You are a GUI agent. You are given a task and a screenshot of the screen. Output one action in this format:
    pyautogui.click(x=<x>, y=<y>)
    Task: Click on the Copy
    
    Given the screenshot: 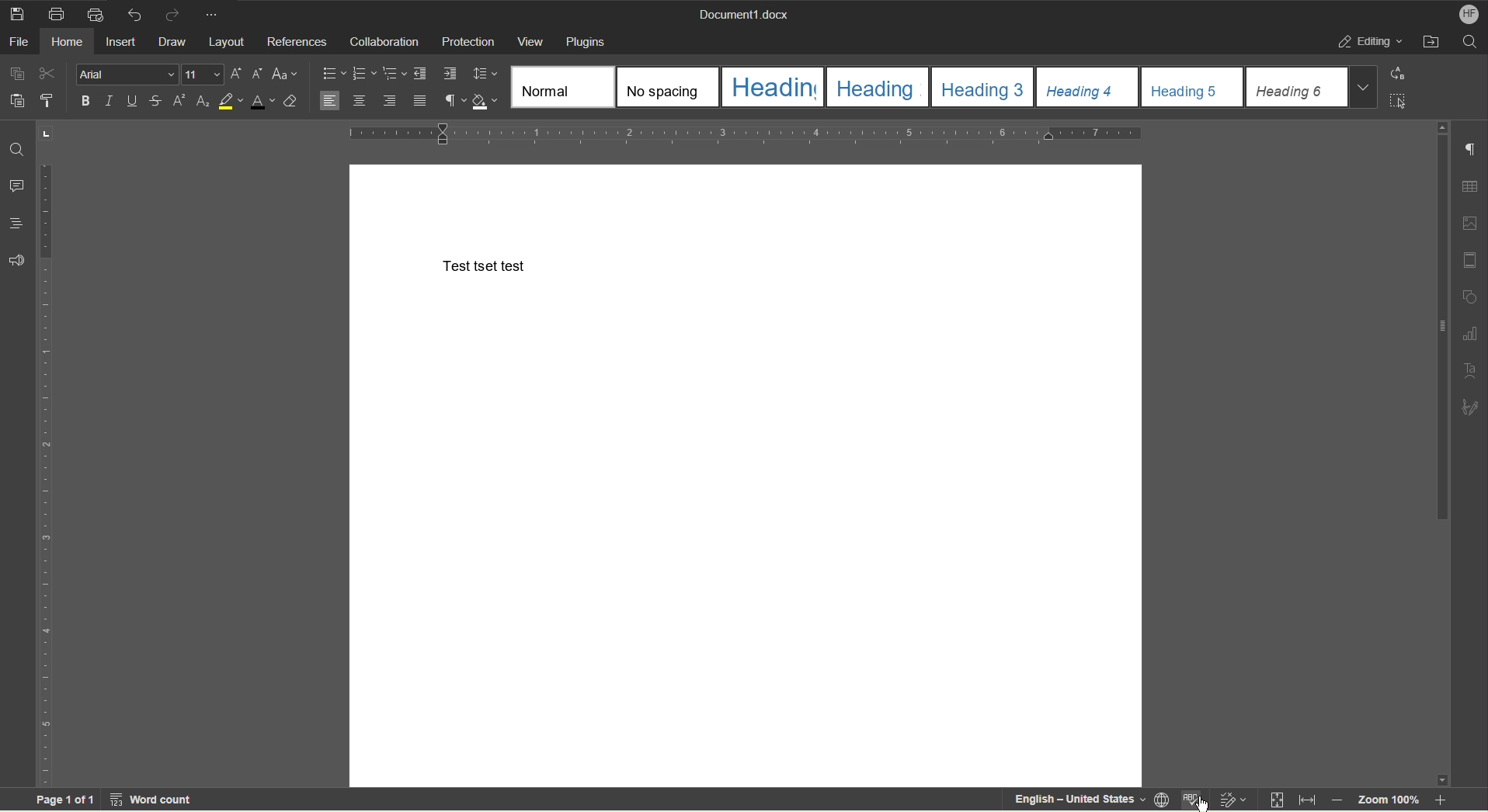 What is the action you would take?
    pyautogui.click(x=19, y=74)
    